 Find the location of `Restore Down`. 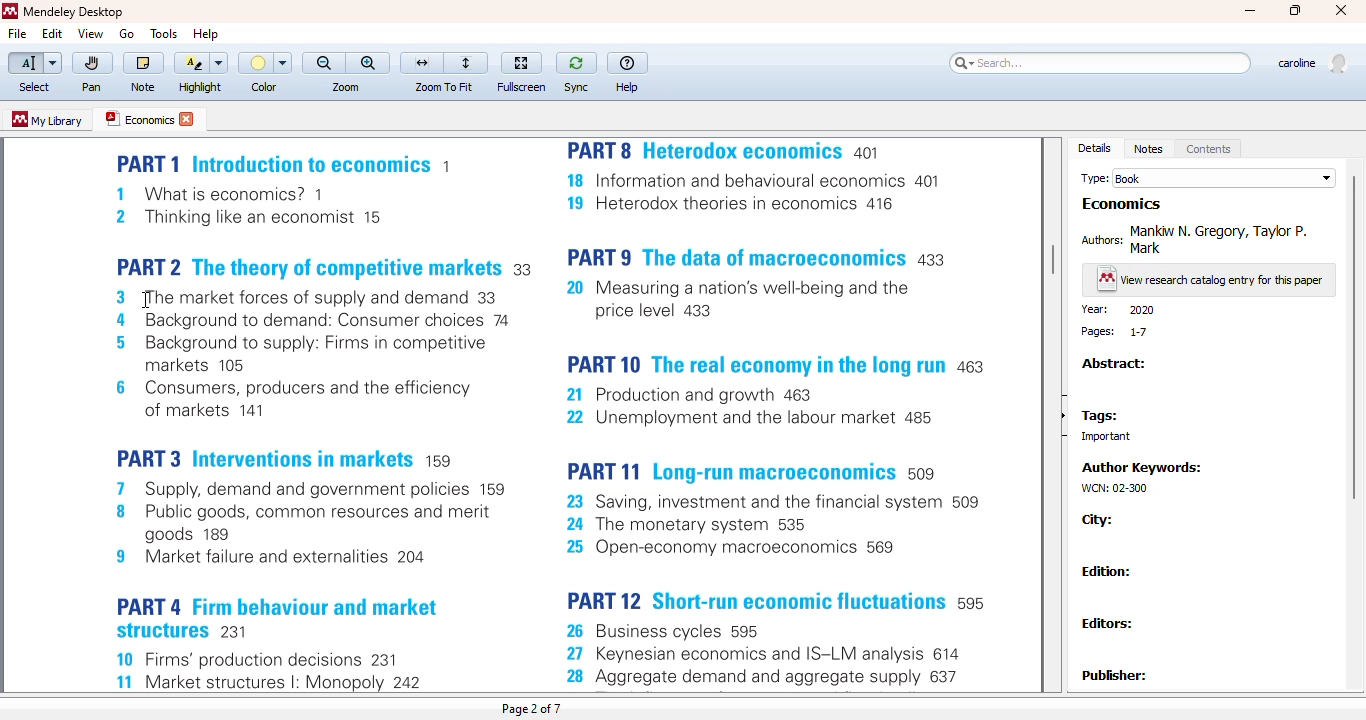

Restore Down is located at coordinates (1294, 13).